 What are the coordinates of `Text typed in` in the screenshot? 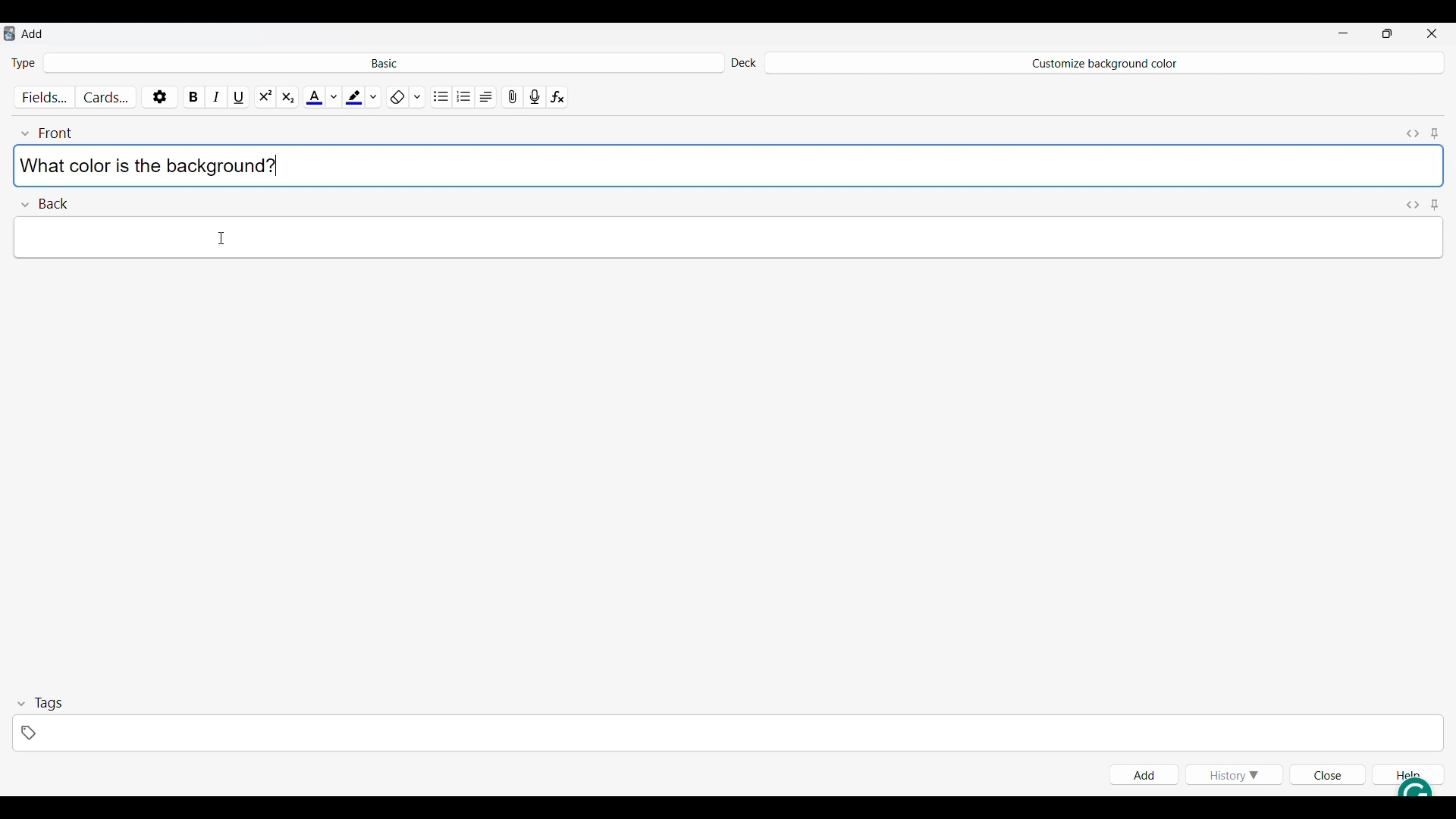 It's located at (155, 165).